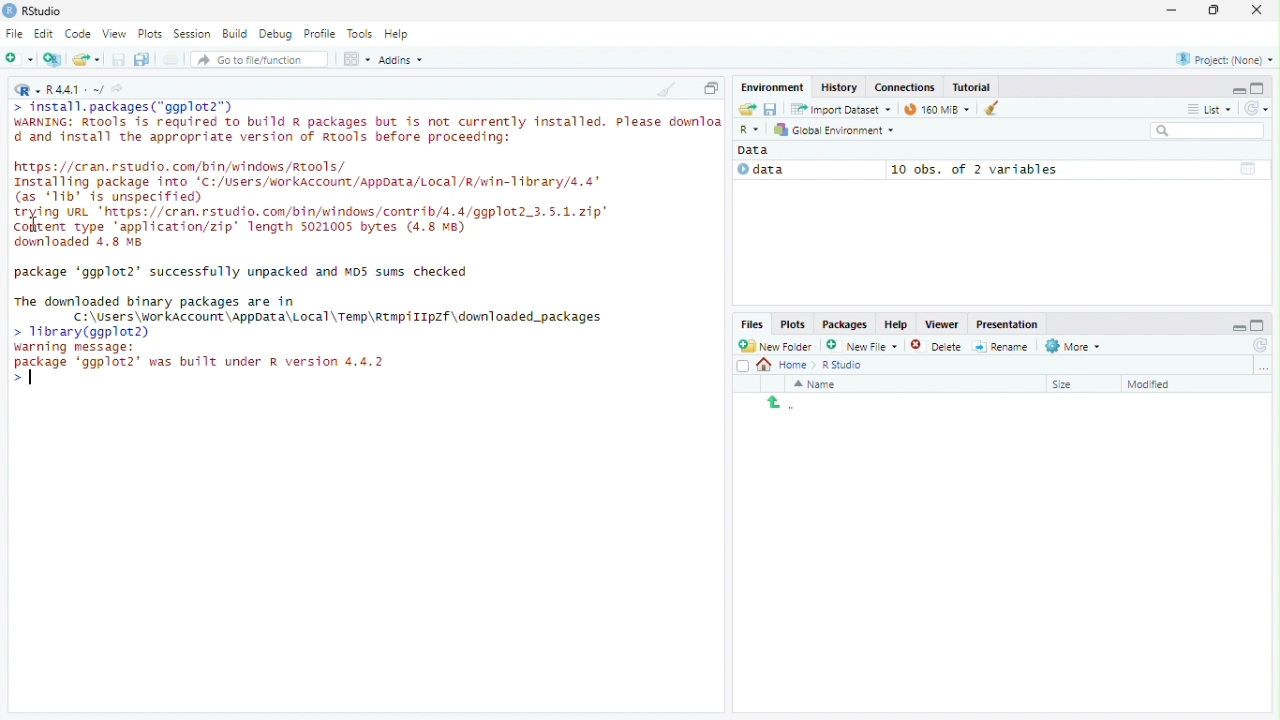 The image size is (1280, 720). I want to click on Data, so click(806, 170).